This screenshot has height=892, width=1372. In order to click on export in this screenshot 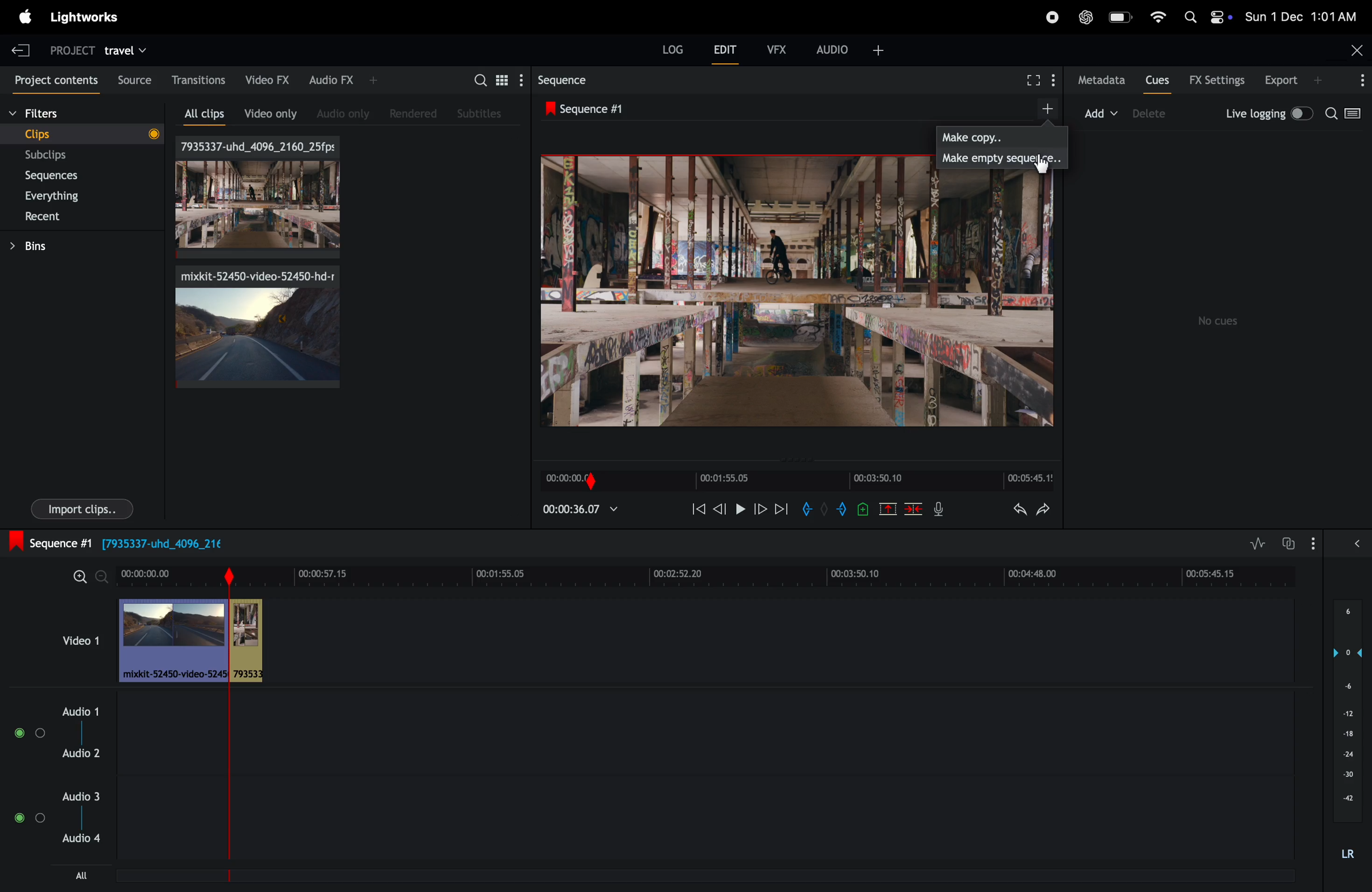, I will do `click(1294, 80)`.